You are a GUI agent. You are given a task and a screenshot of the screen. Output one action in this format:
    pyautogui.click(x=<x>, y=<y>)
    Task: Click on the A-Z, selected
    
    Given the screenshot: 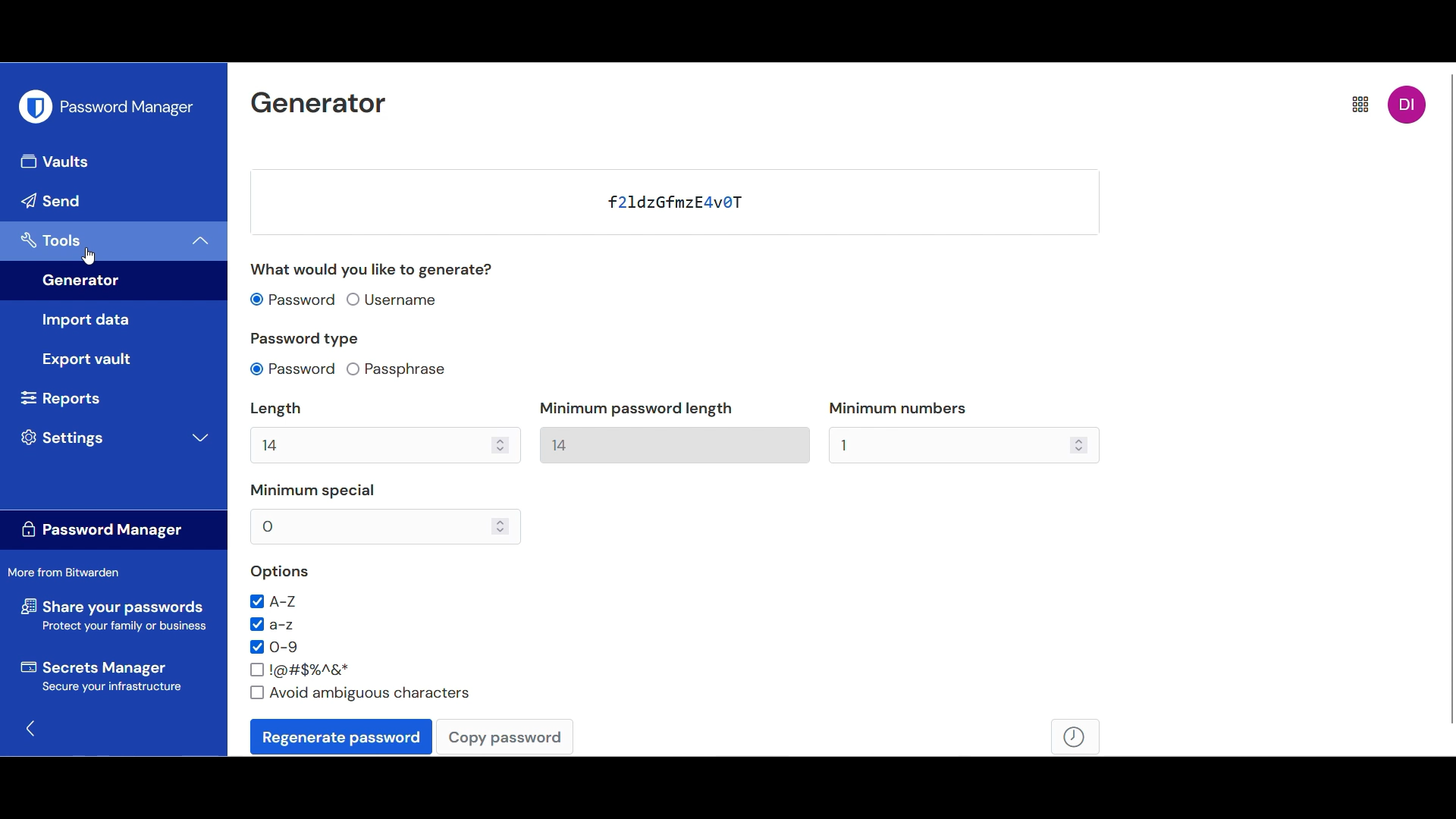 What is the action you would take?
    pyautogui.click(x=274, y=602)
    